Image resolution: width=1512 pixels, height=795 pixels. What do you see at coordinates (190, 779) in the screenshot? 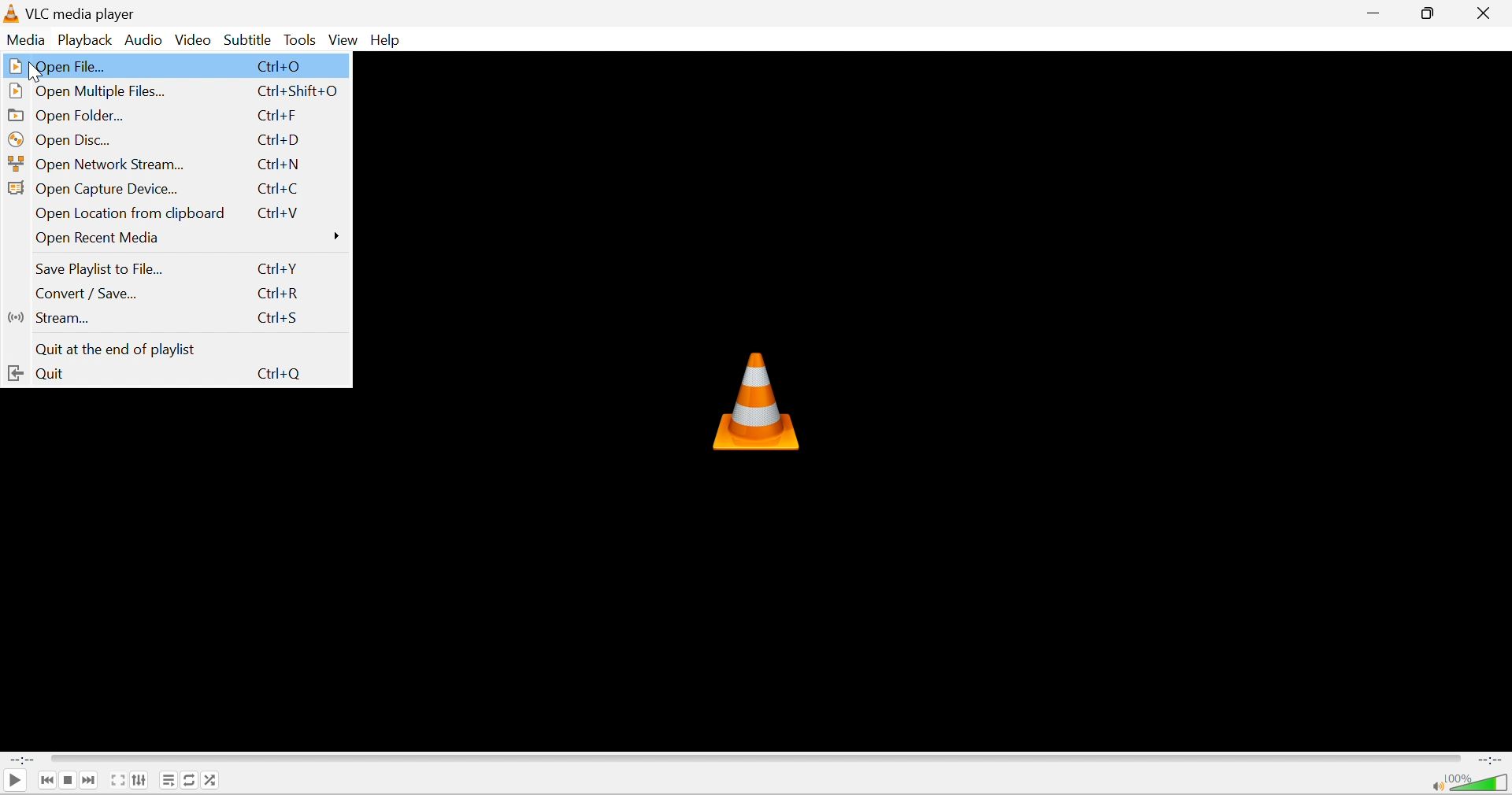
I see `Click to toggle between loop all, loop one and no loop` at bounding box center [190, 779].